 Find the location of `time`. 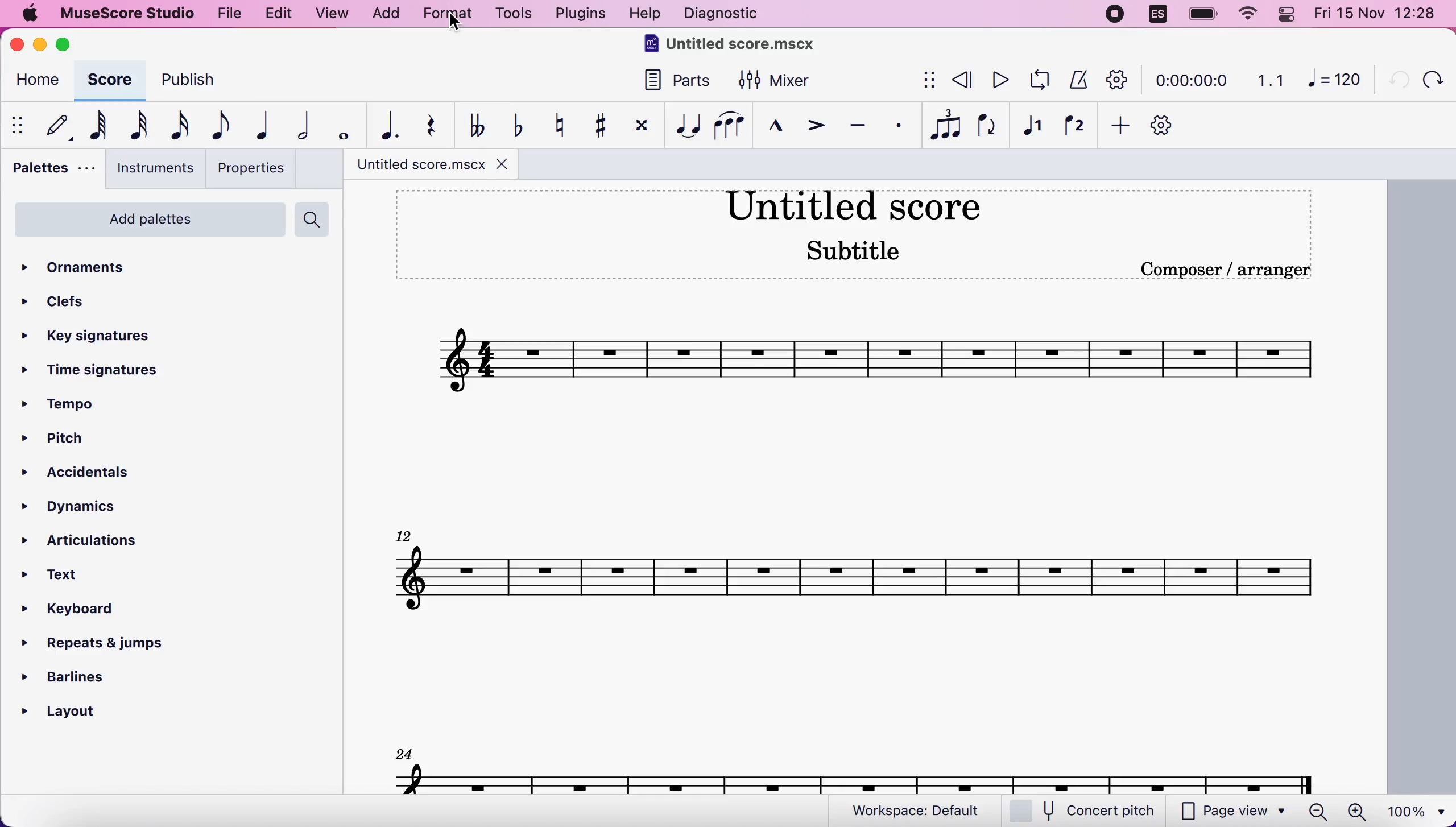

time is located at coordinates (1189, 82).